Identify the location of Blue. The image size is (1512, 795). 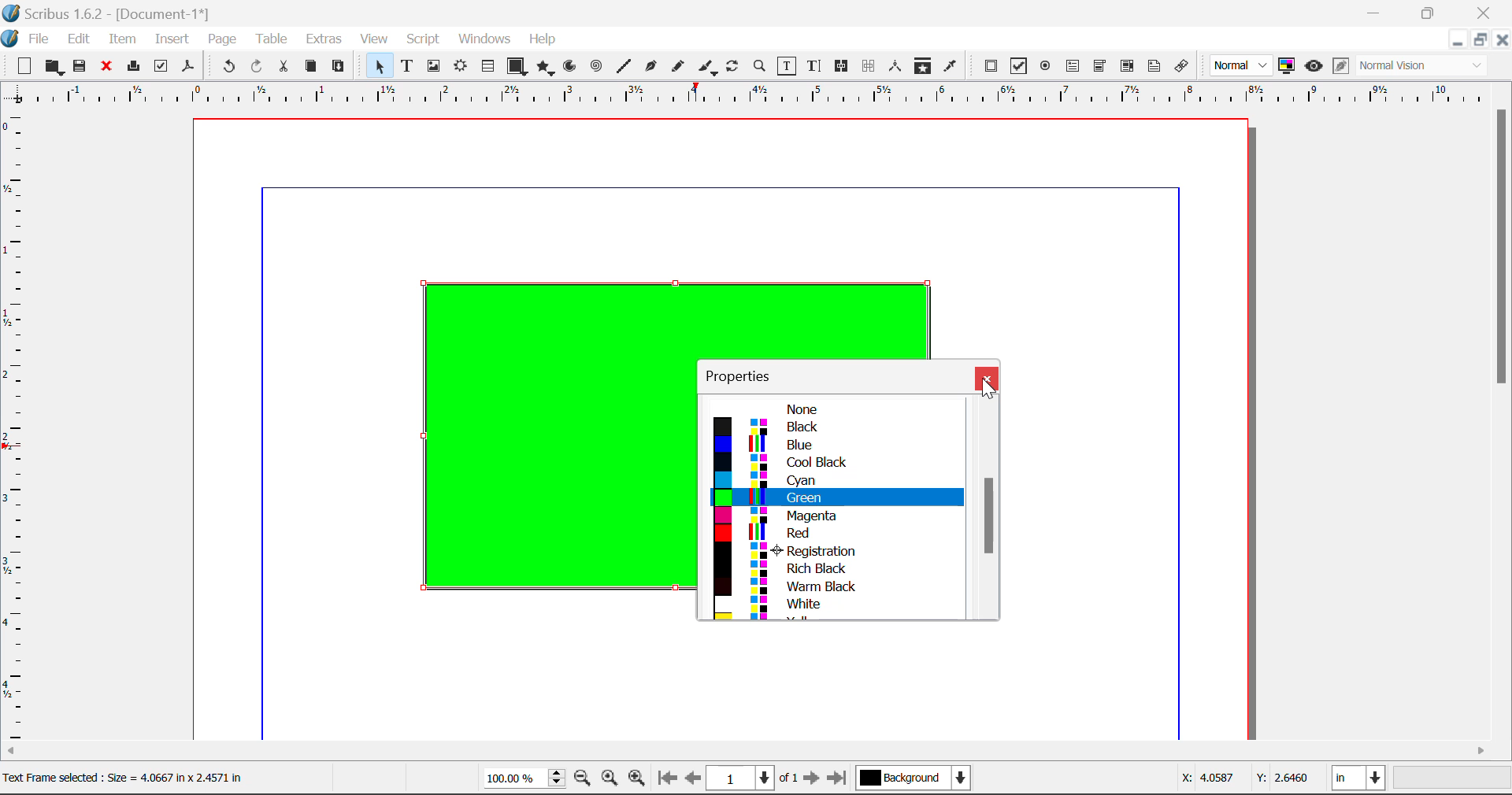
(836, 446).